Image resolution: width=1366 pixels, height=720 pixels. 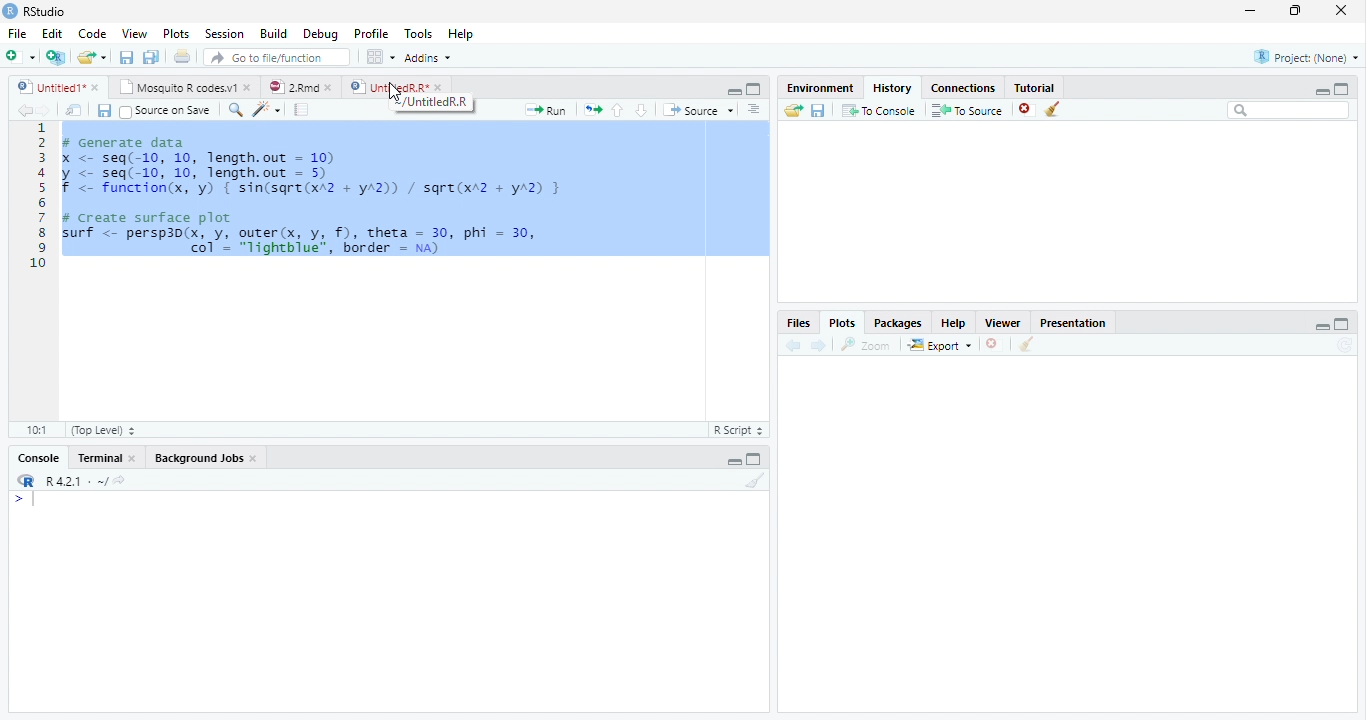 What do you see at coordinates (37, 430) in the screenshot?
I see `1:1` at bounding box center [37, 430].